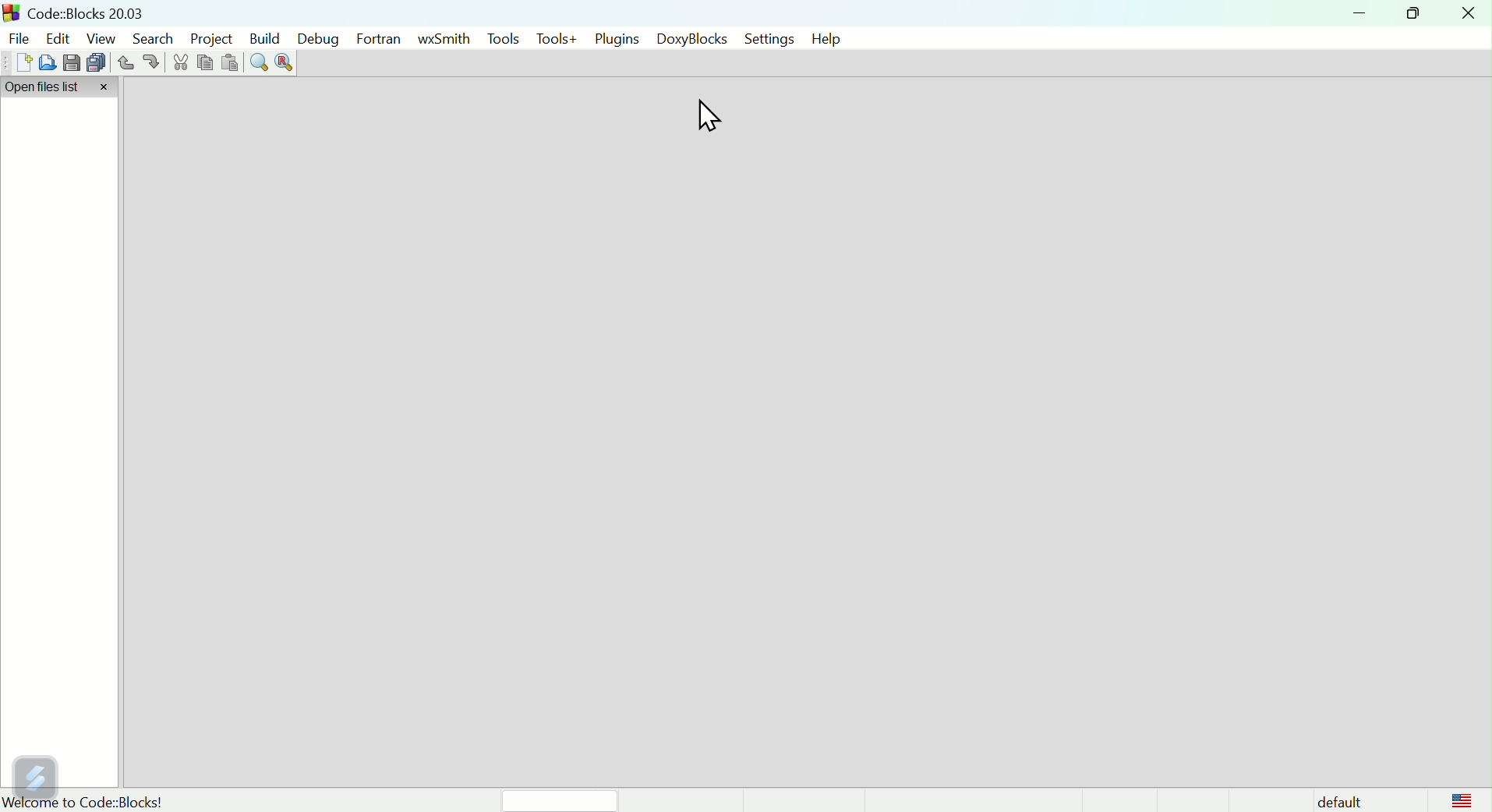 Image resolution: width=1492 pixels, height=812 pixels. What do you see at coordinates (232, 63) in the screenshot?
I see `Paste` at bounding box center [232, 63].